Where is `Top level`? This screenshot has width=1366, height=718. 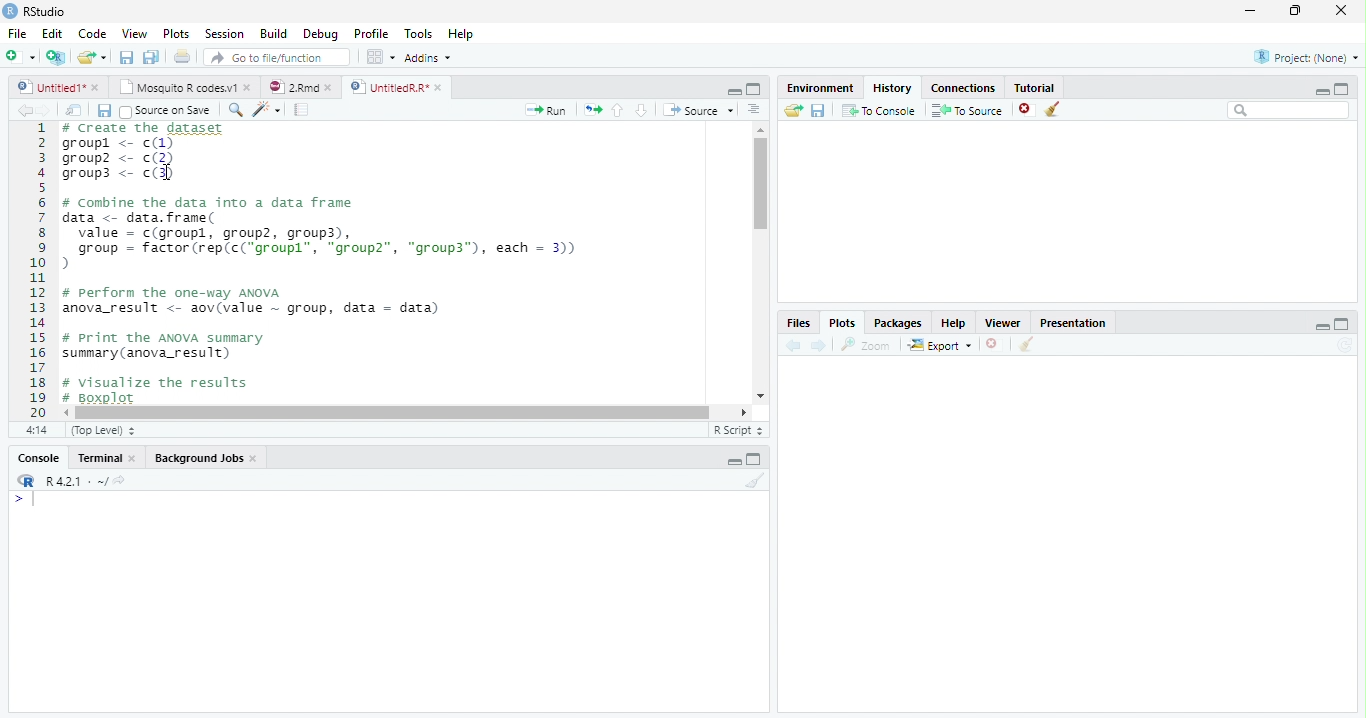
Top level is located at coordinates (106, 431).